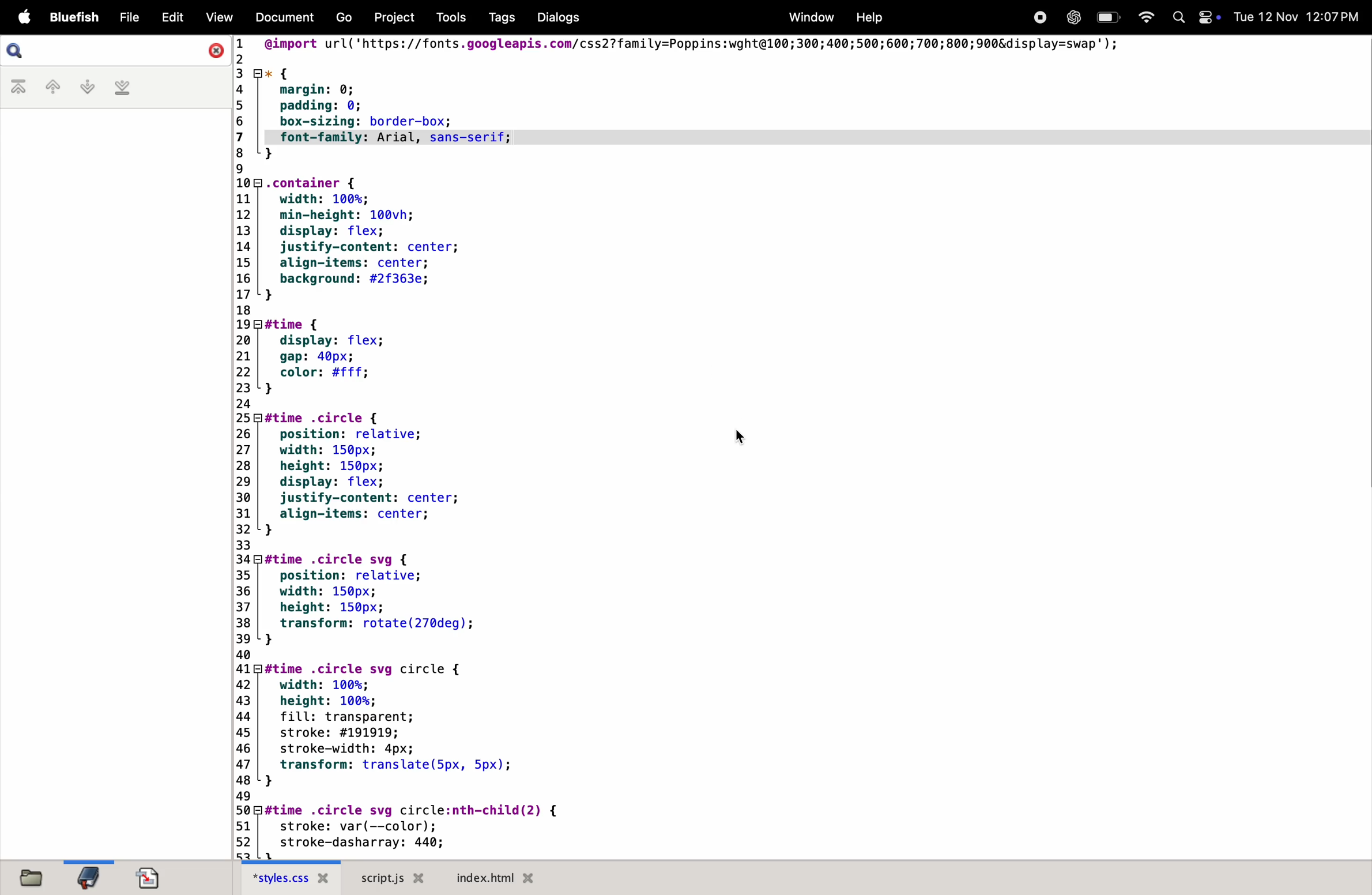 This screenshot has height=895, width=1372. I want to click on go, so click(345, 18).